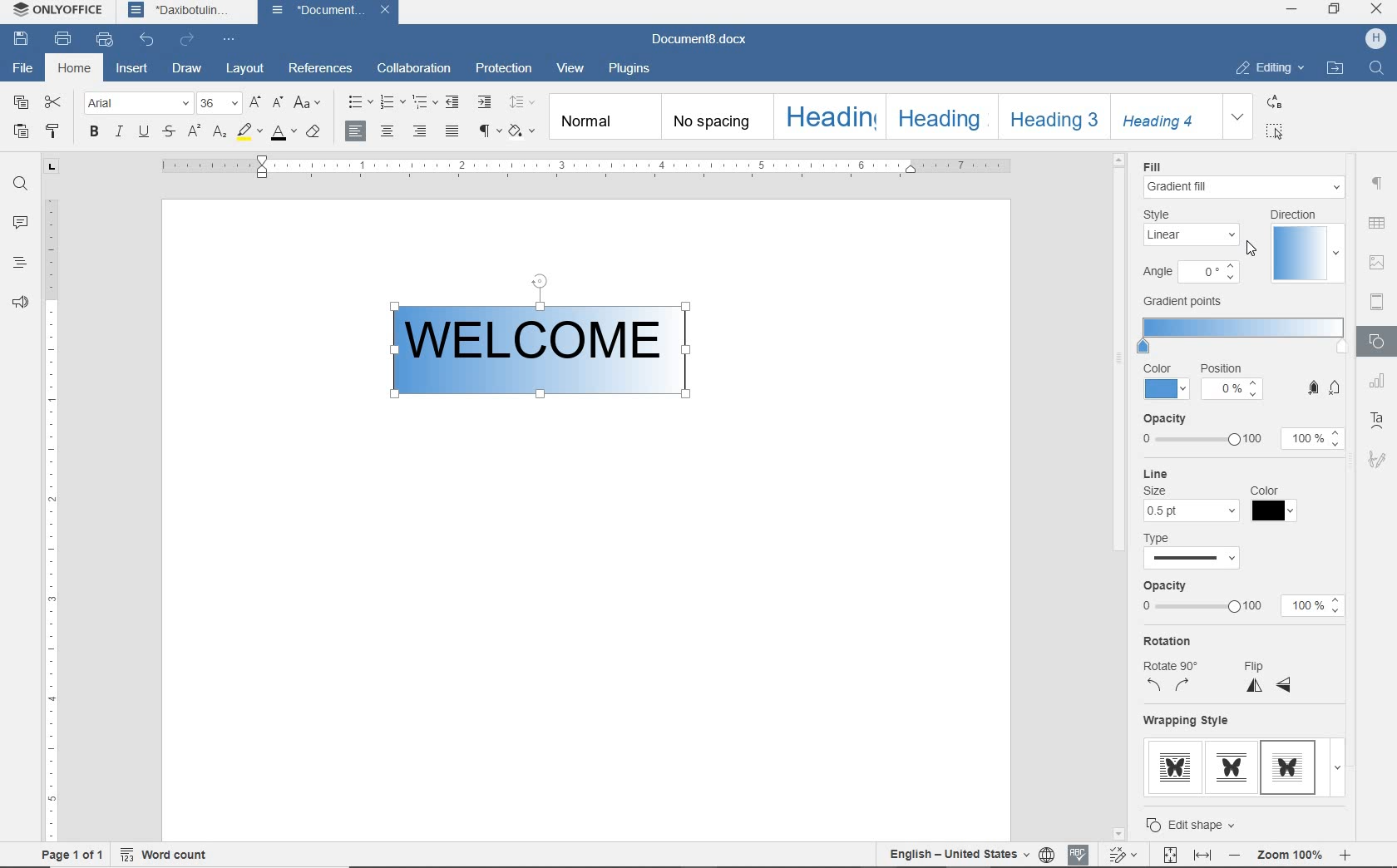 The height and width of the screenshot is (868, 1397). I want to click on UNDERLINE, so click(146, 131).